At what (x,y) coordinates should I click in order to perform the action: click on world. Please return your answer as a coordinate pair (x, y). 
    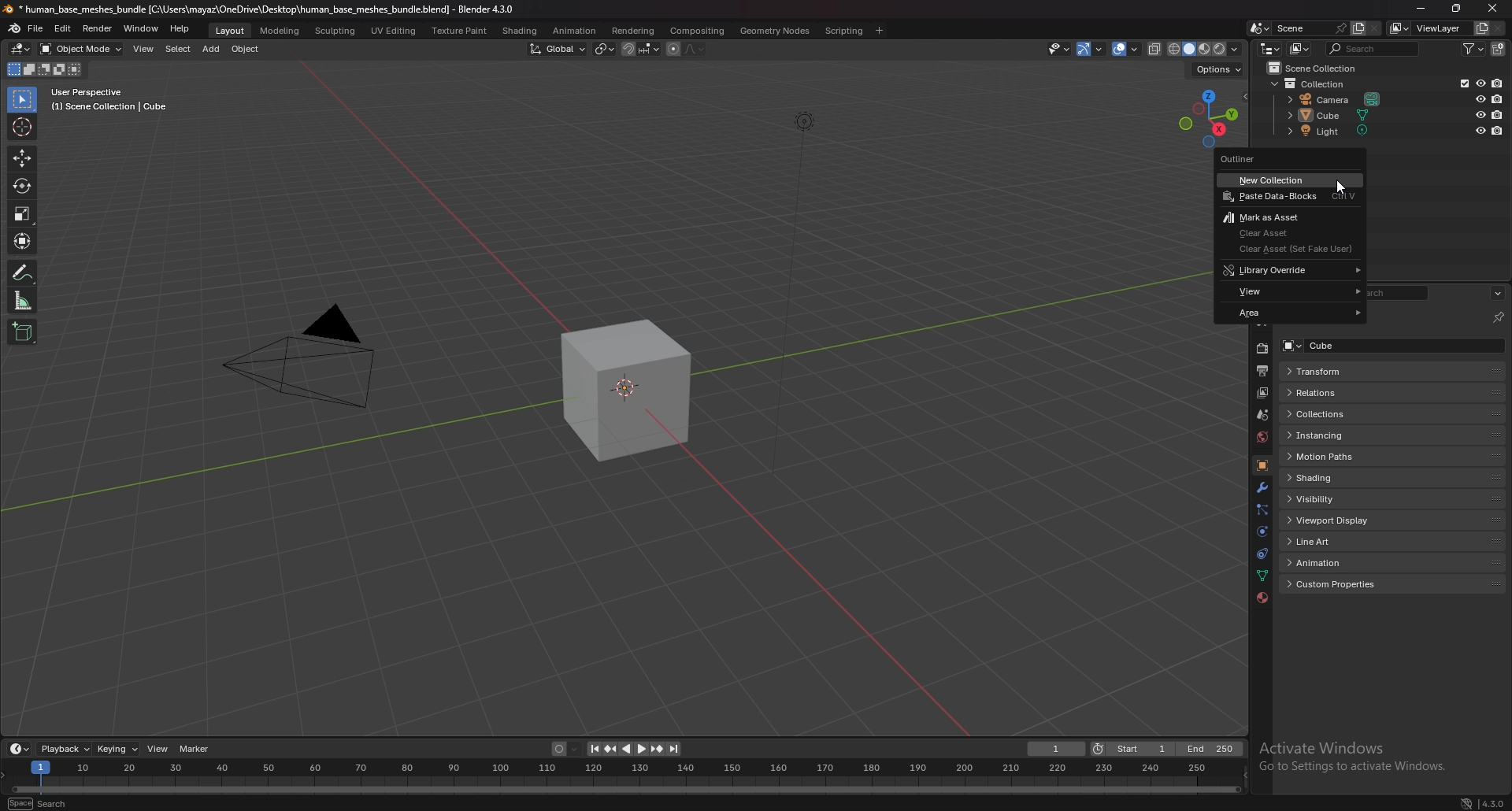
    Looking at the image, I should click on (1262, 437).